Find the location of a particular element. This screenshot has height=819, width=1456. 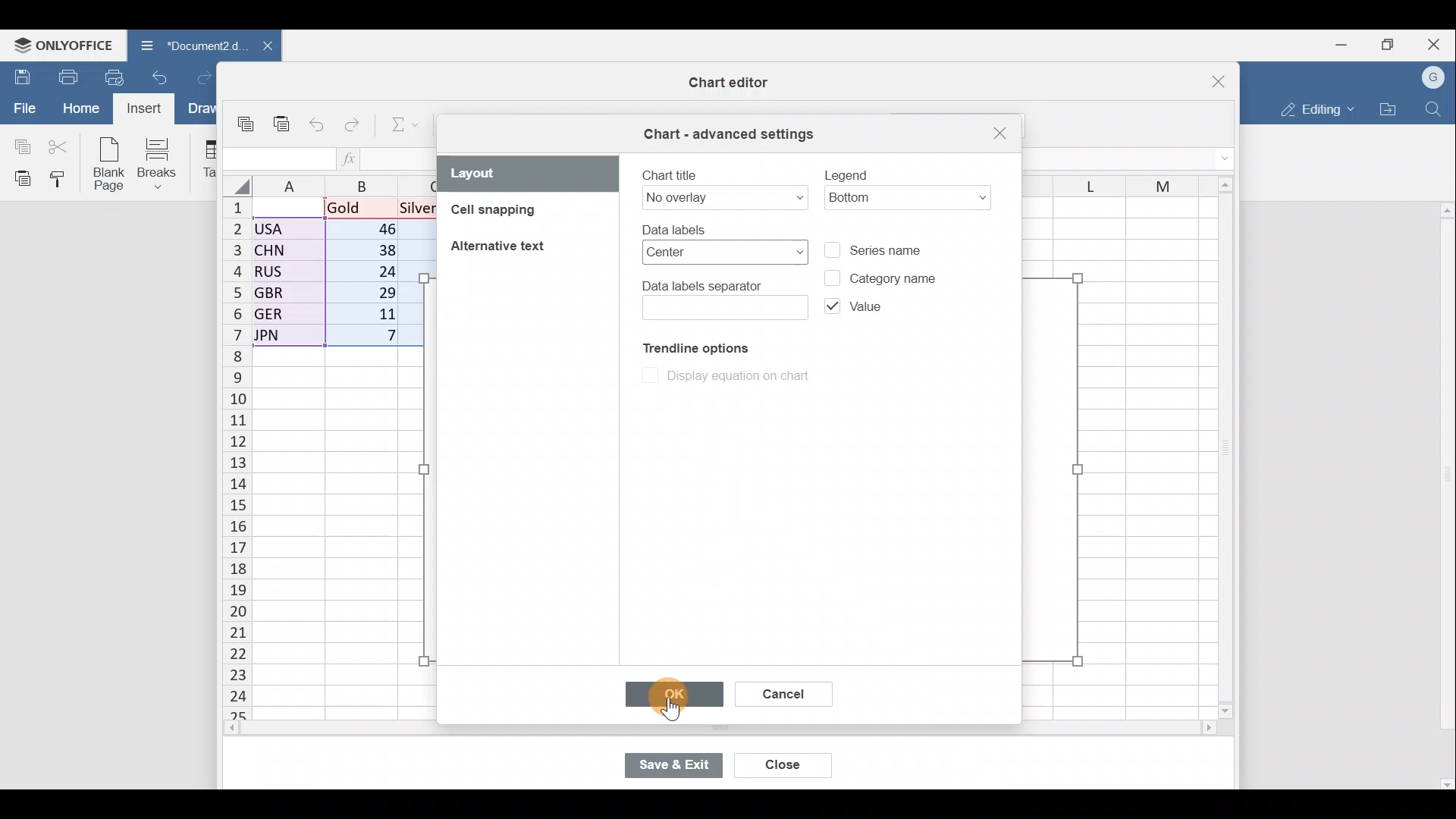

Table is located at coordinates (205, 159).